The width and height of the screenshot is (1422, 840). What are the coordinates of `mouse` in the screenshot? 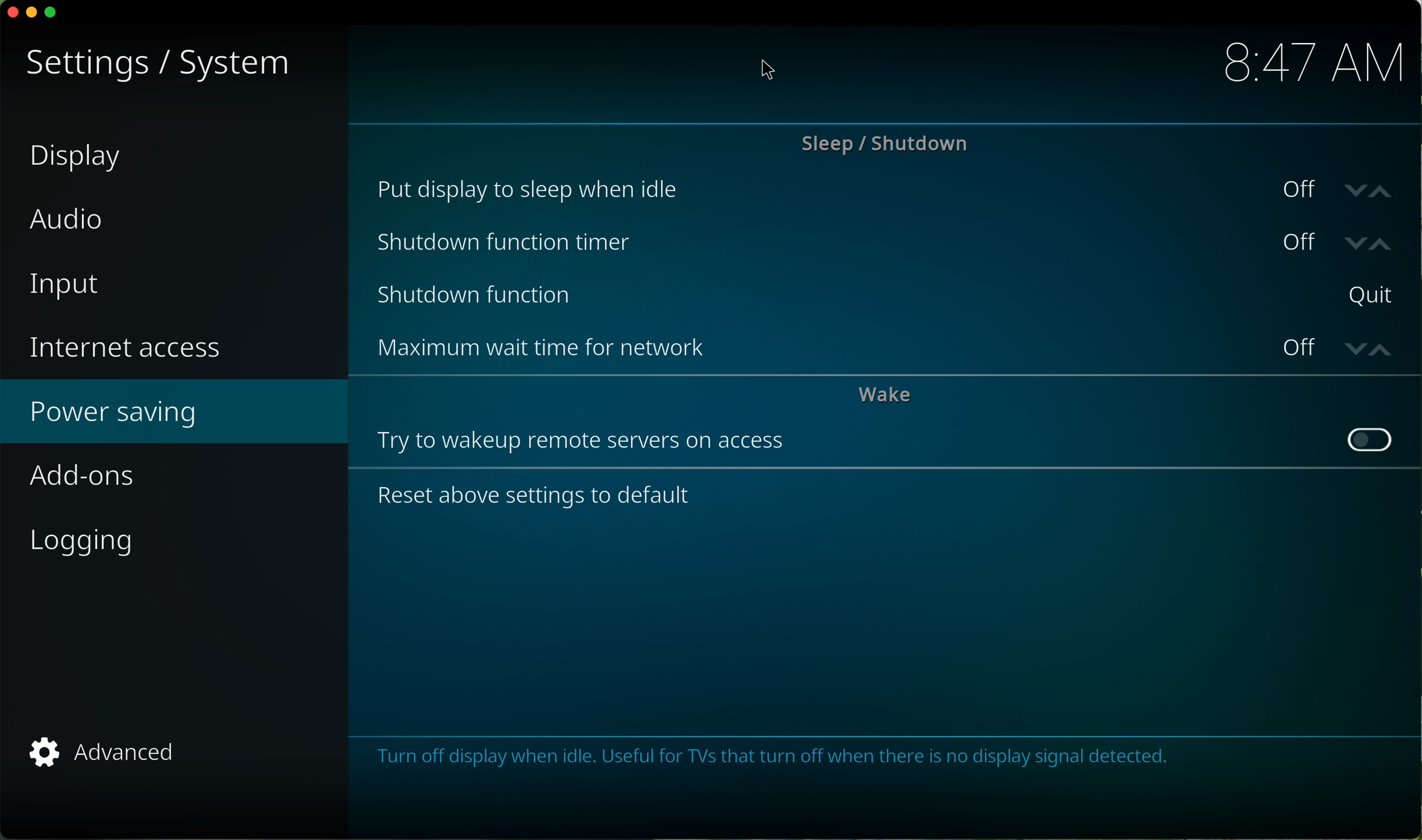 It's located at (772, 68).